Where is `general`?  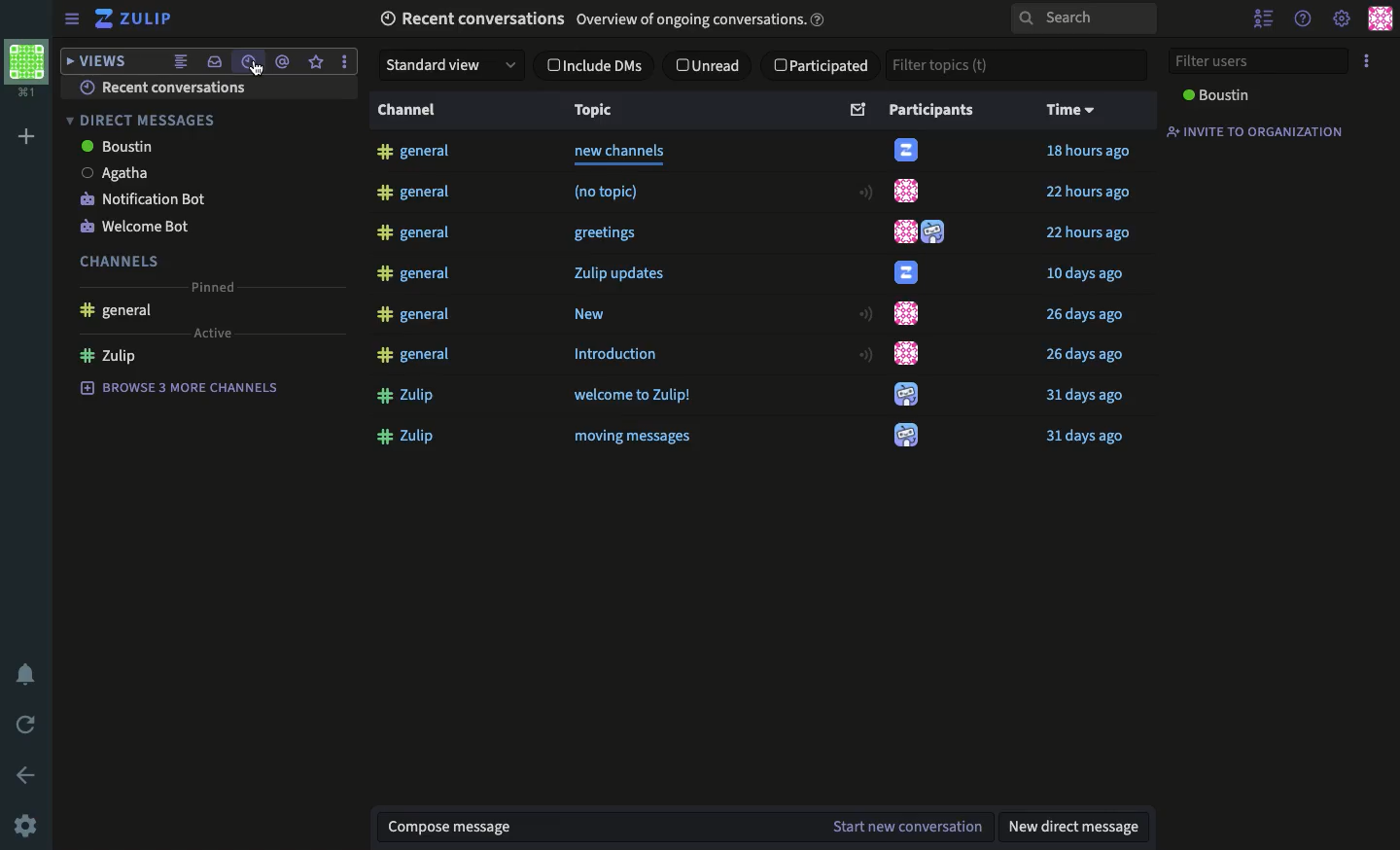
general is located at coordinates (415, 317).